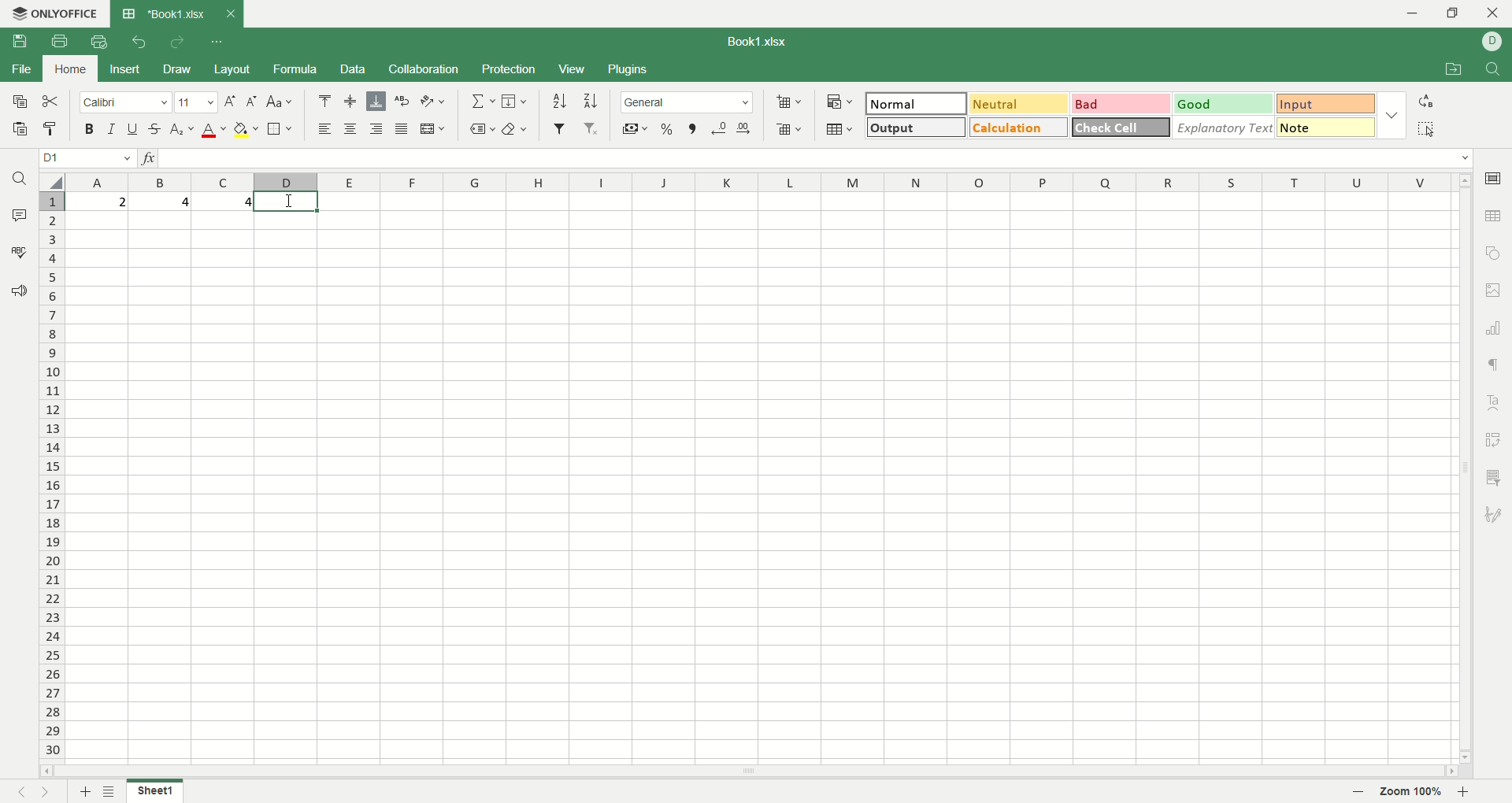  What do you see at coordinates (1425, 102) in the screenshot?
I see `replace` at bounding box center [1425, 102].